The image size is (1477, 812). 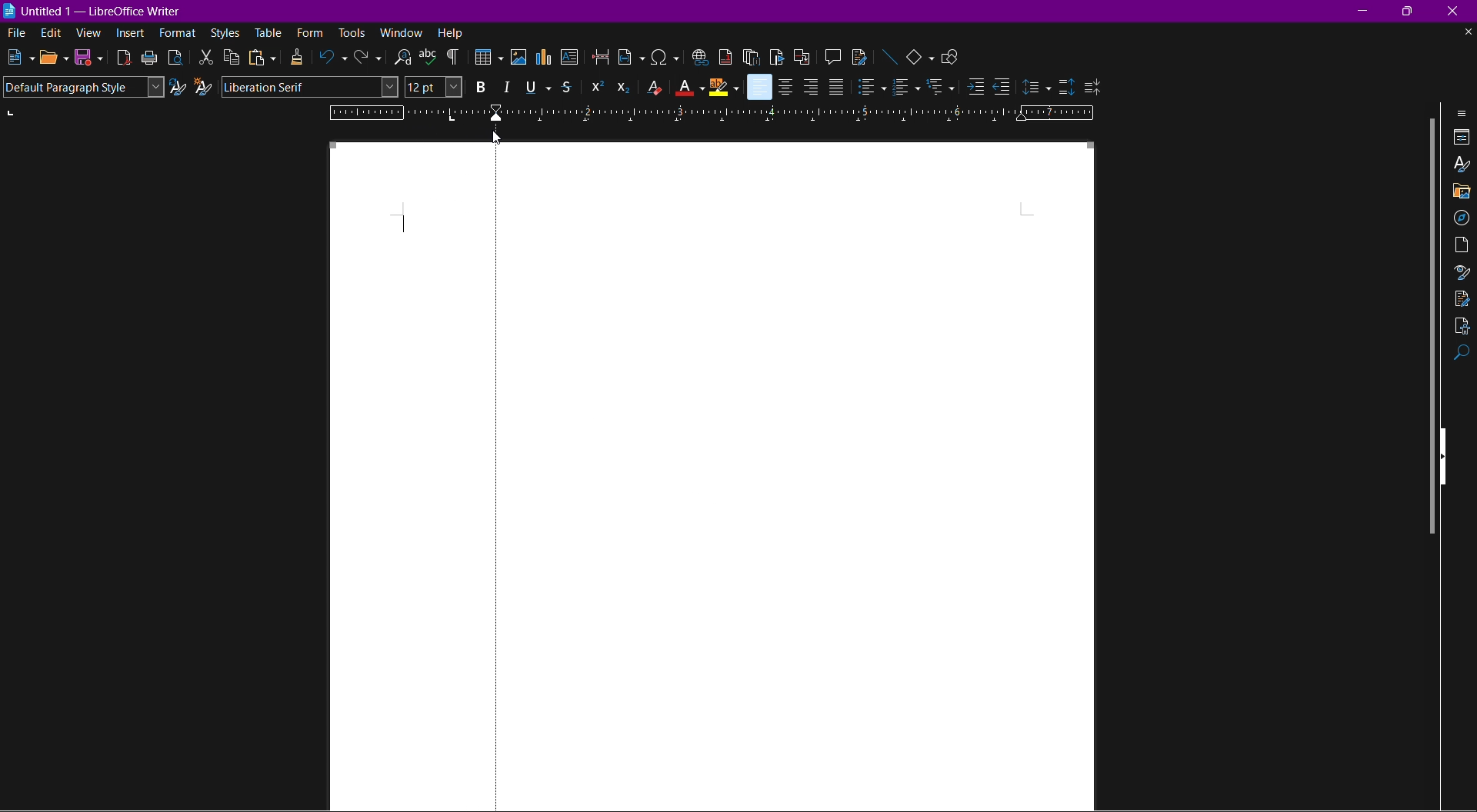 What do you see at coordinates (178, 34) in the screenshot?
I see `format` at bounding box center [178, 34].